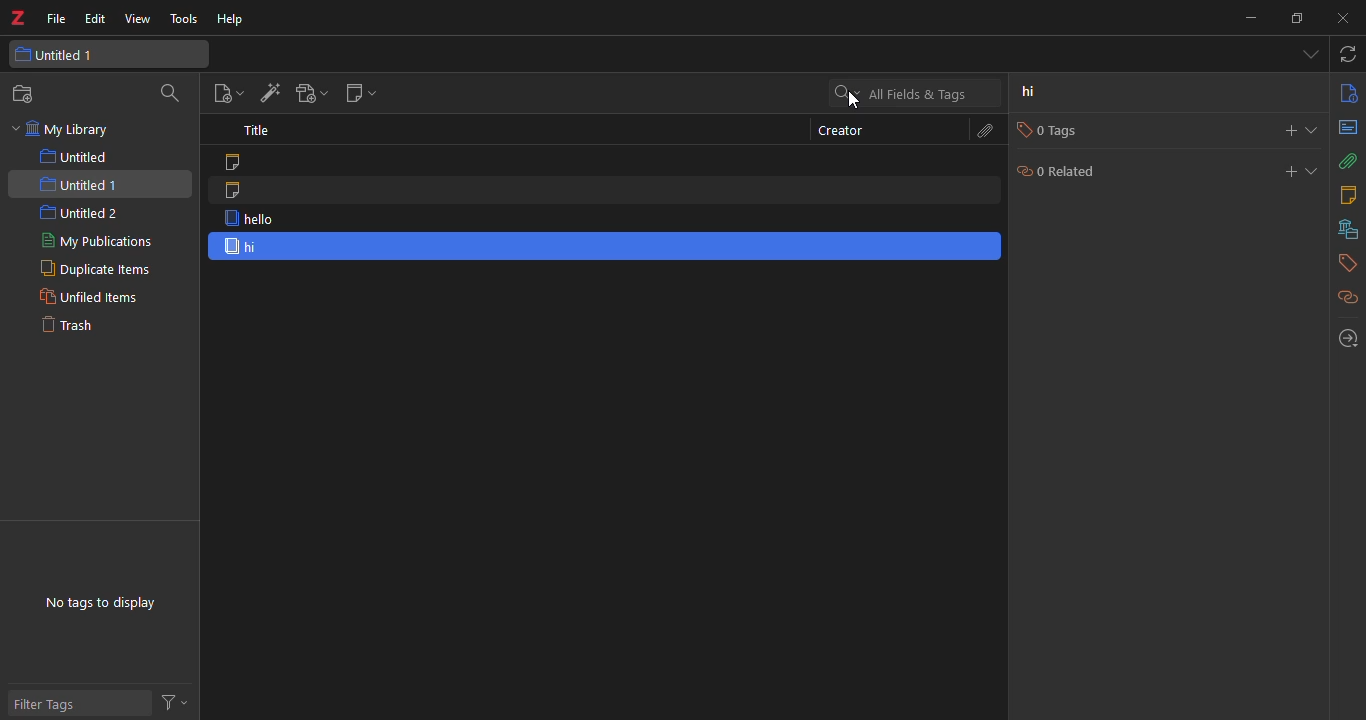 The width and height of the screenshot is (1366, 720). What do you see at coordinates (1030, 92) in the screenshot?
I see `hi` at bounding box center [1030, 92].